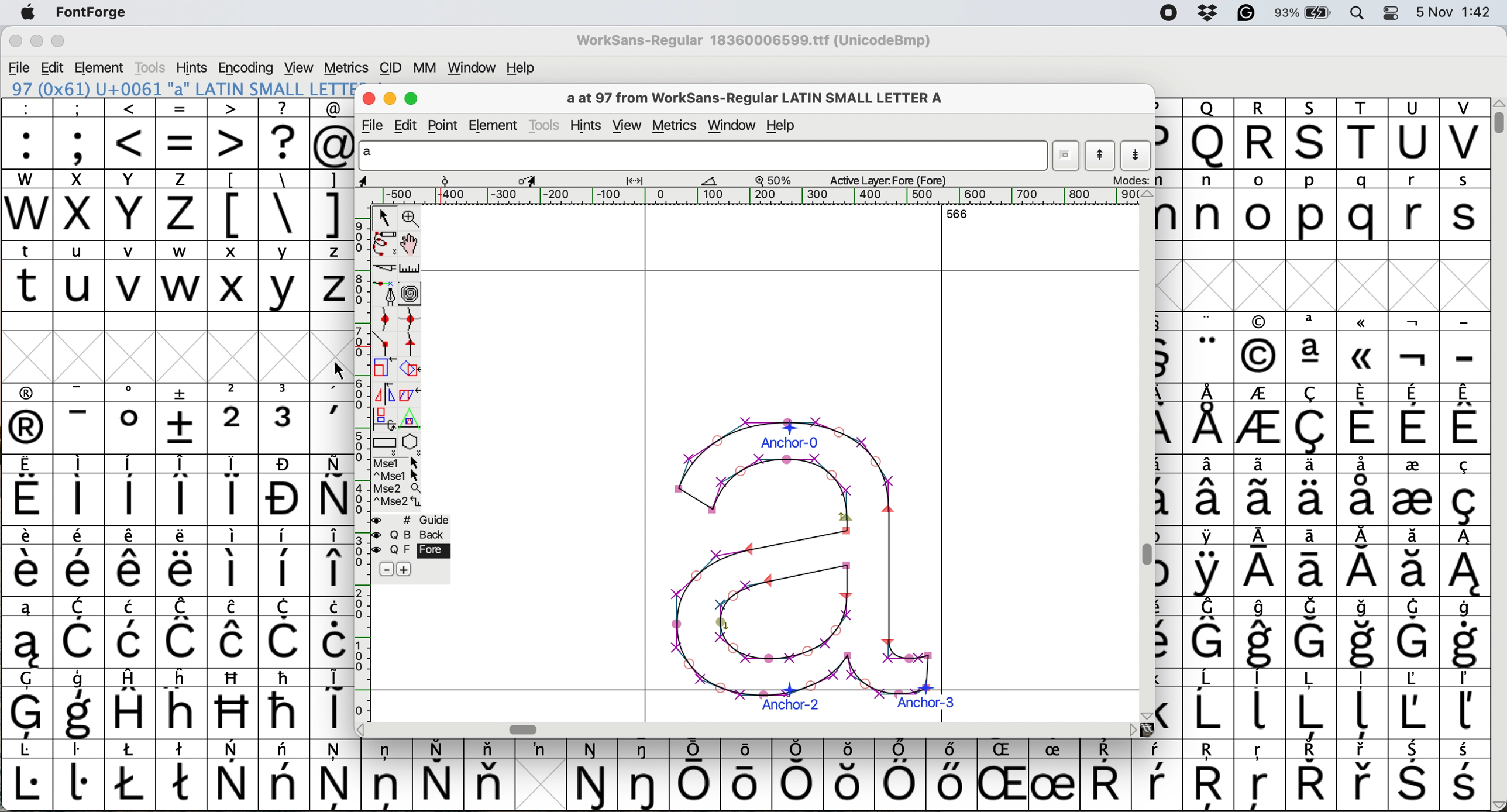 This screenshot has width=1507, height=812. I want to click on vertical scroll bar, so click(1145, 556).